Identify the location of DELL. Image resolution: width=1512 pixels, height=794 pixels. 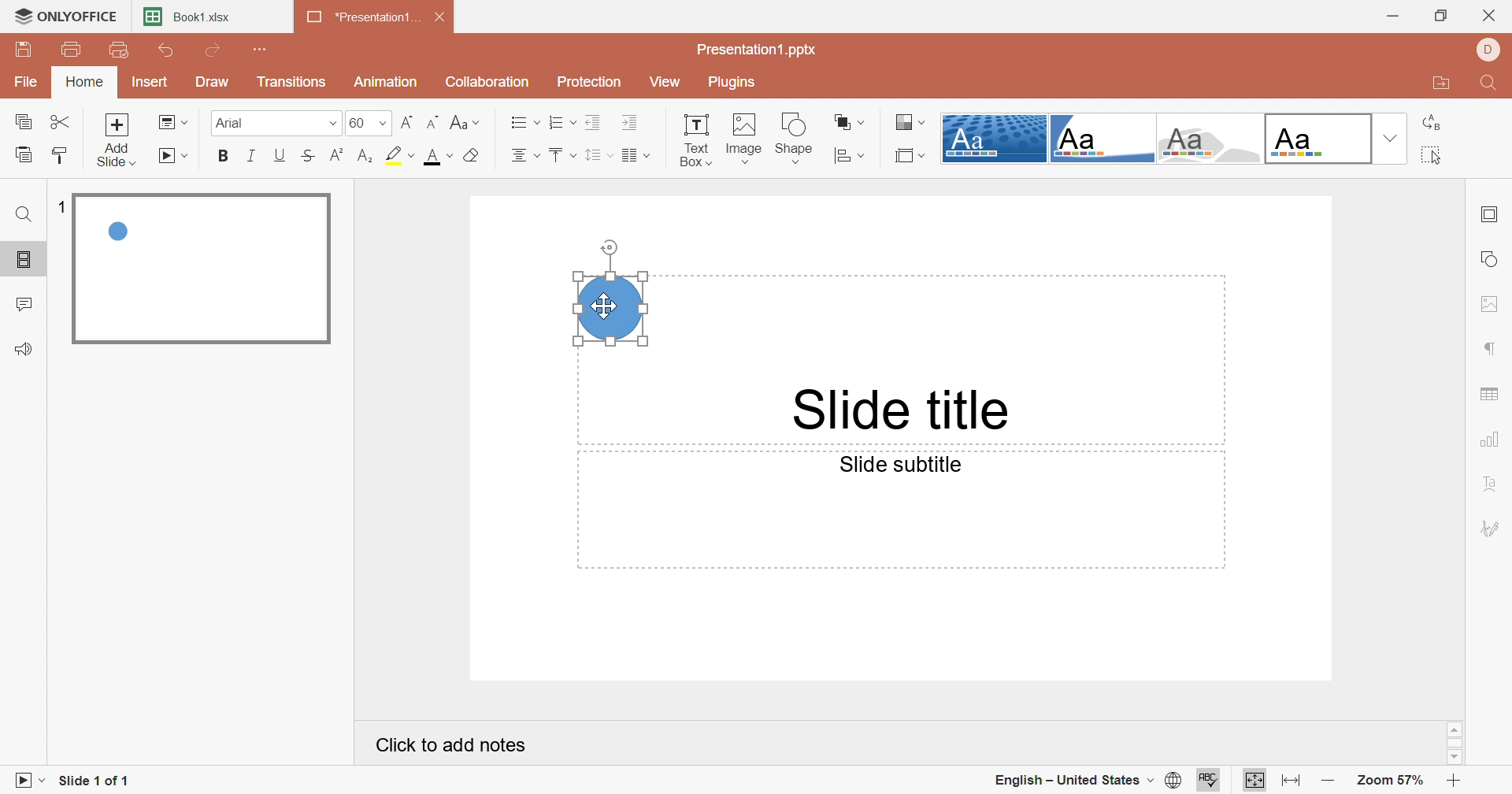
(1489, 49).